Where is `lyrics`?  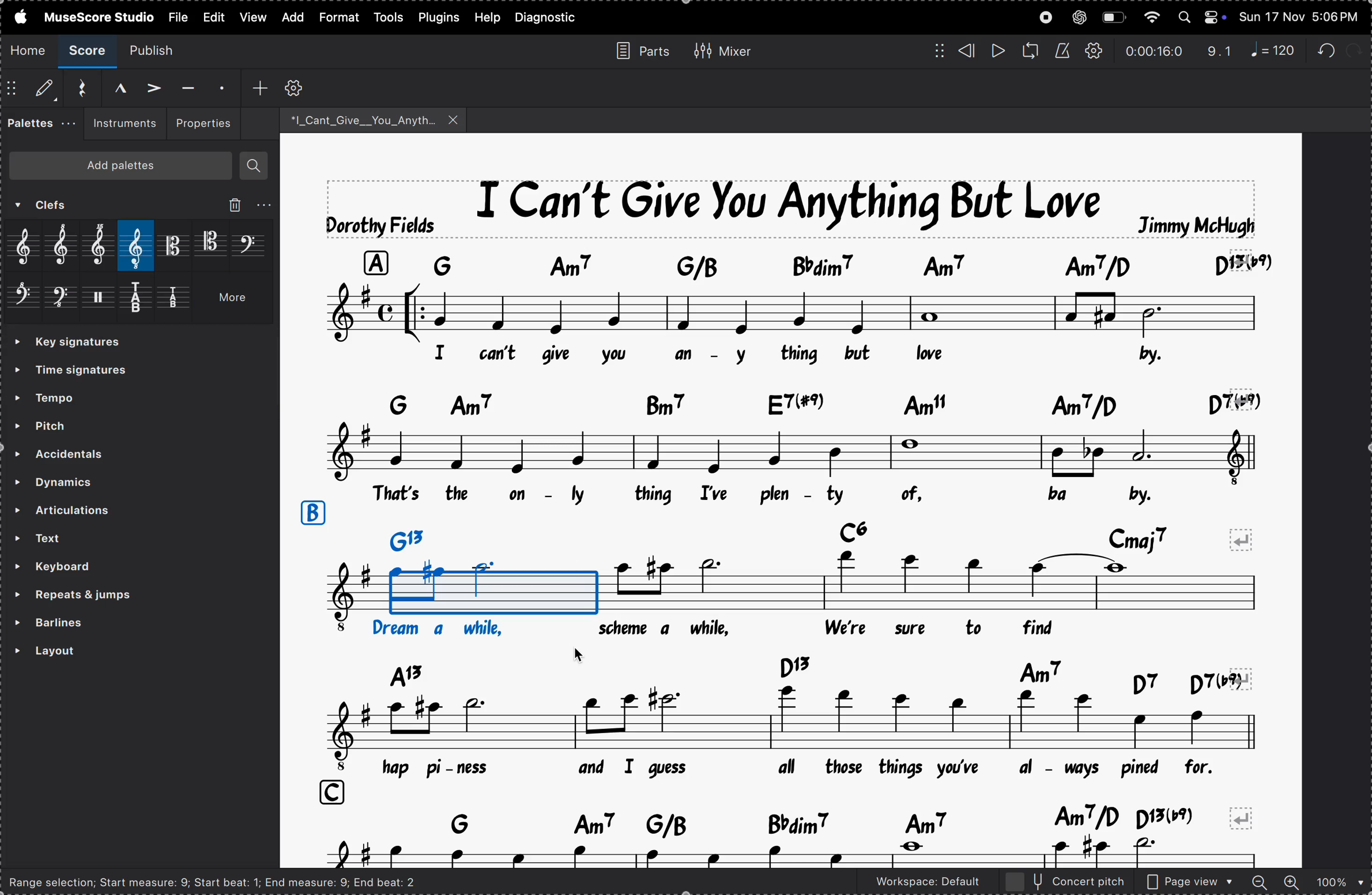 lyrics is located at coordinates (812, 769).